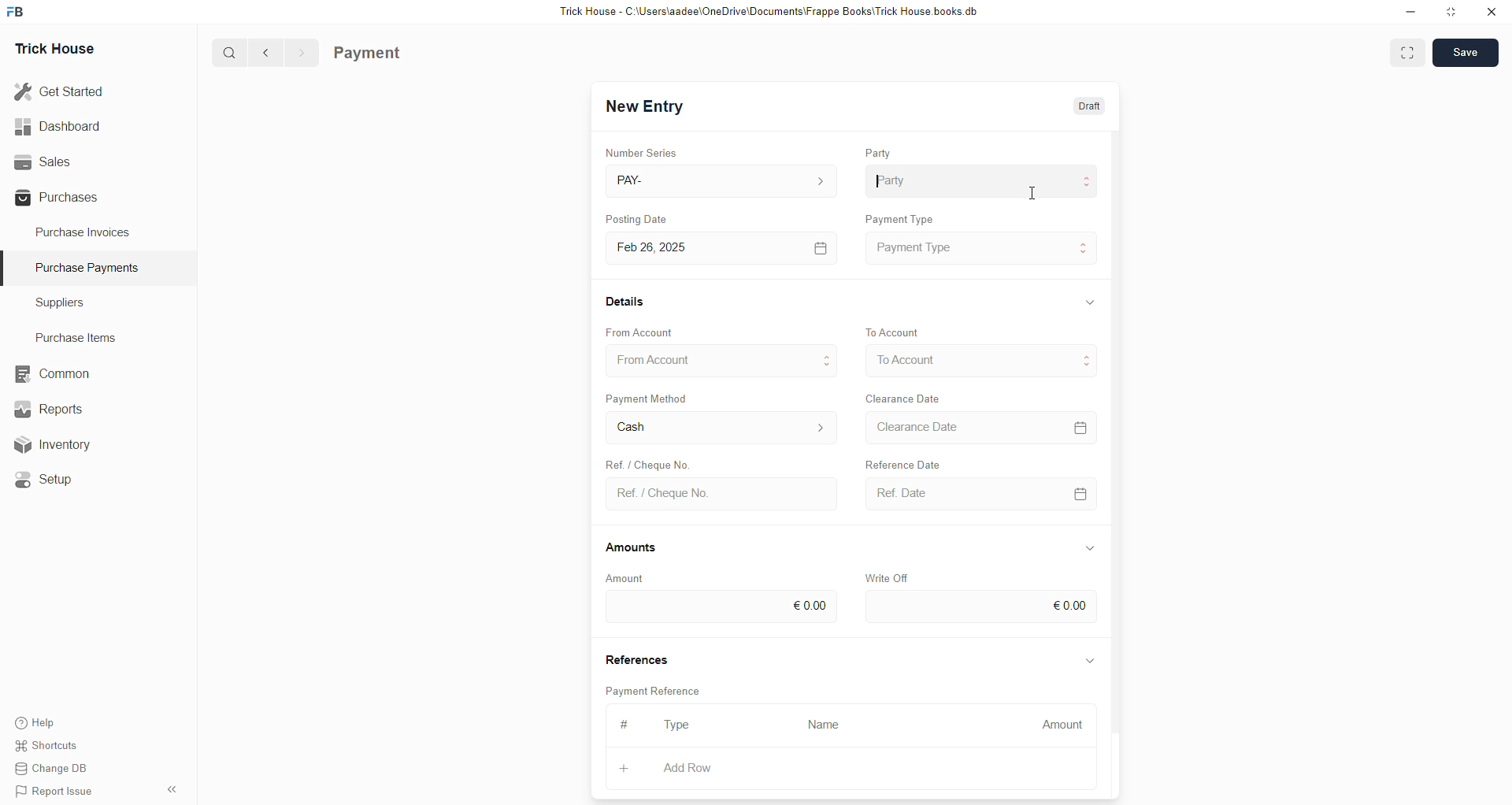 The width and height of the screenshot is (1512, 805). I want to click on +, so click(623, 769).